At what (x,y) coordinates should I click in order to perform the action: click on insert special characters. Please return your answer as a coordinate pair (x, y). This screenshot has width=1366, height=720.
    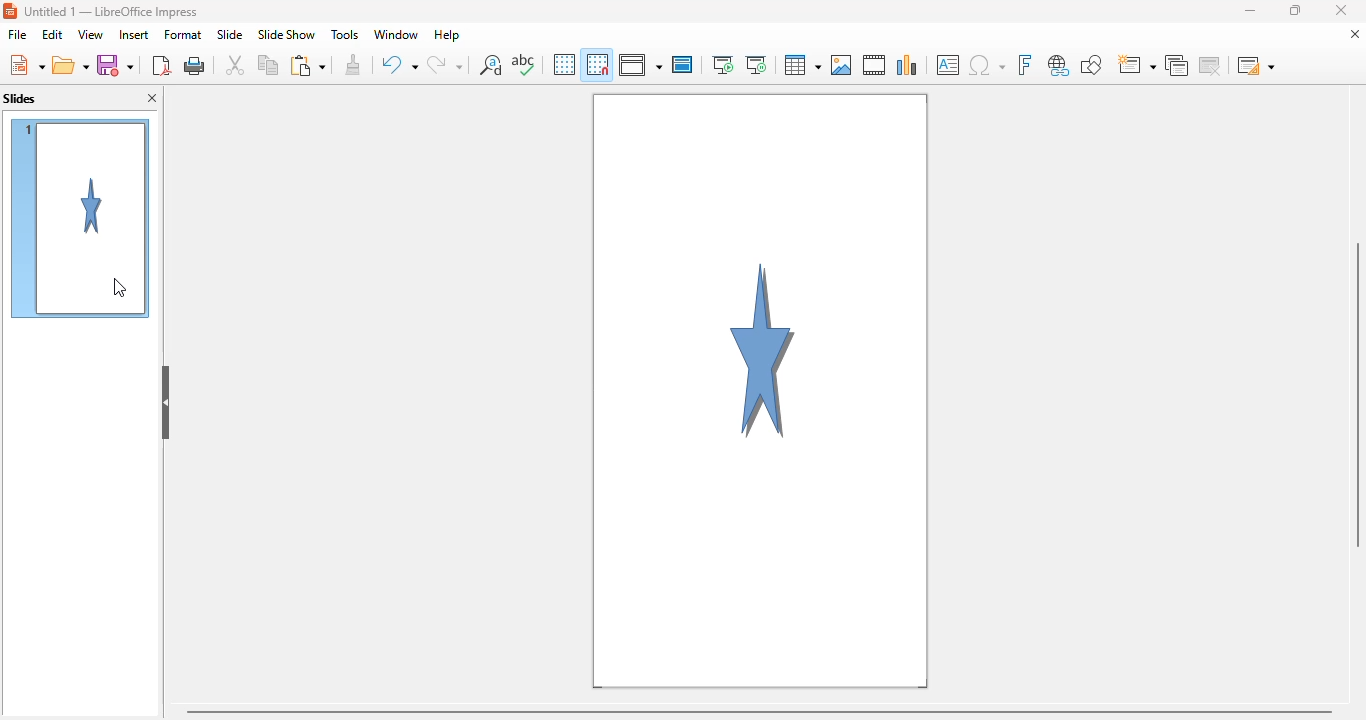
    Looking at the image, I should click on (986, 66).